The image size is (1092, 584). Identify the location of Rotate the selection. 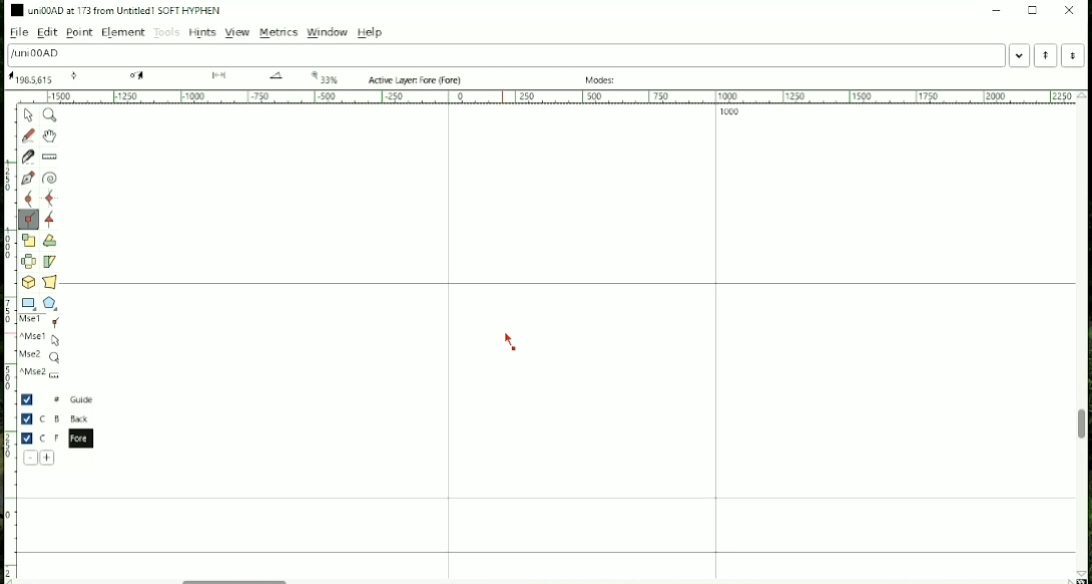
(50, 242).